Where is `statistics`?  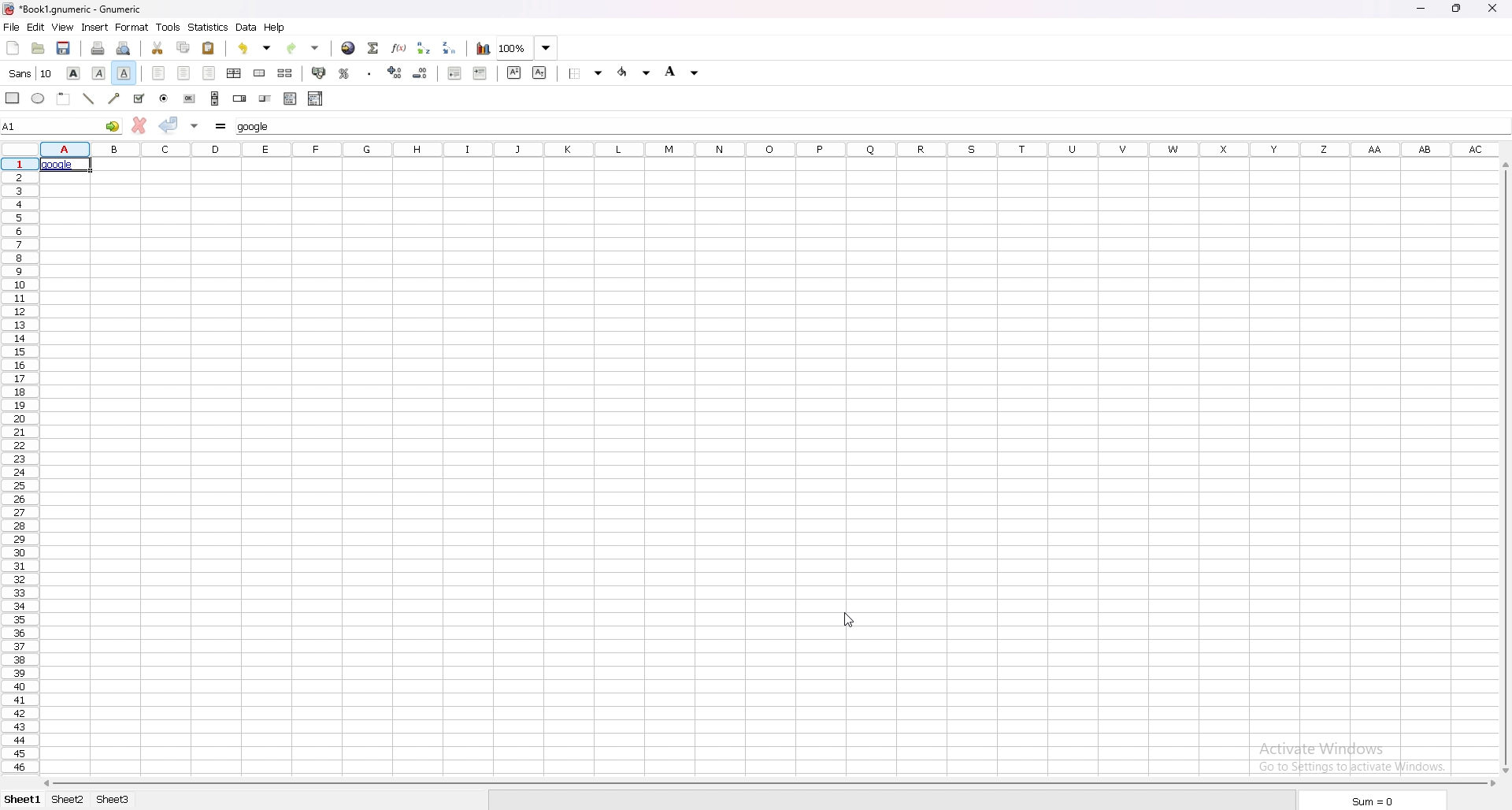
statistics is located at coordinates (209, 28).